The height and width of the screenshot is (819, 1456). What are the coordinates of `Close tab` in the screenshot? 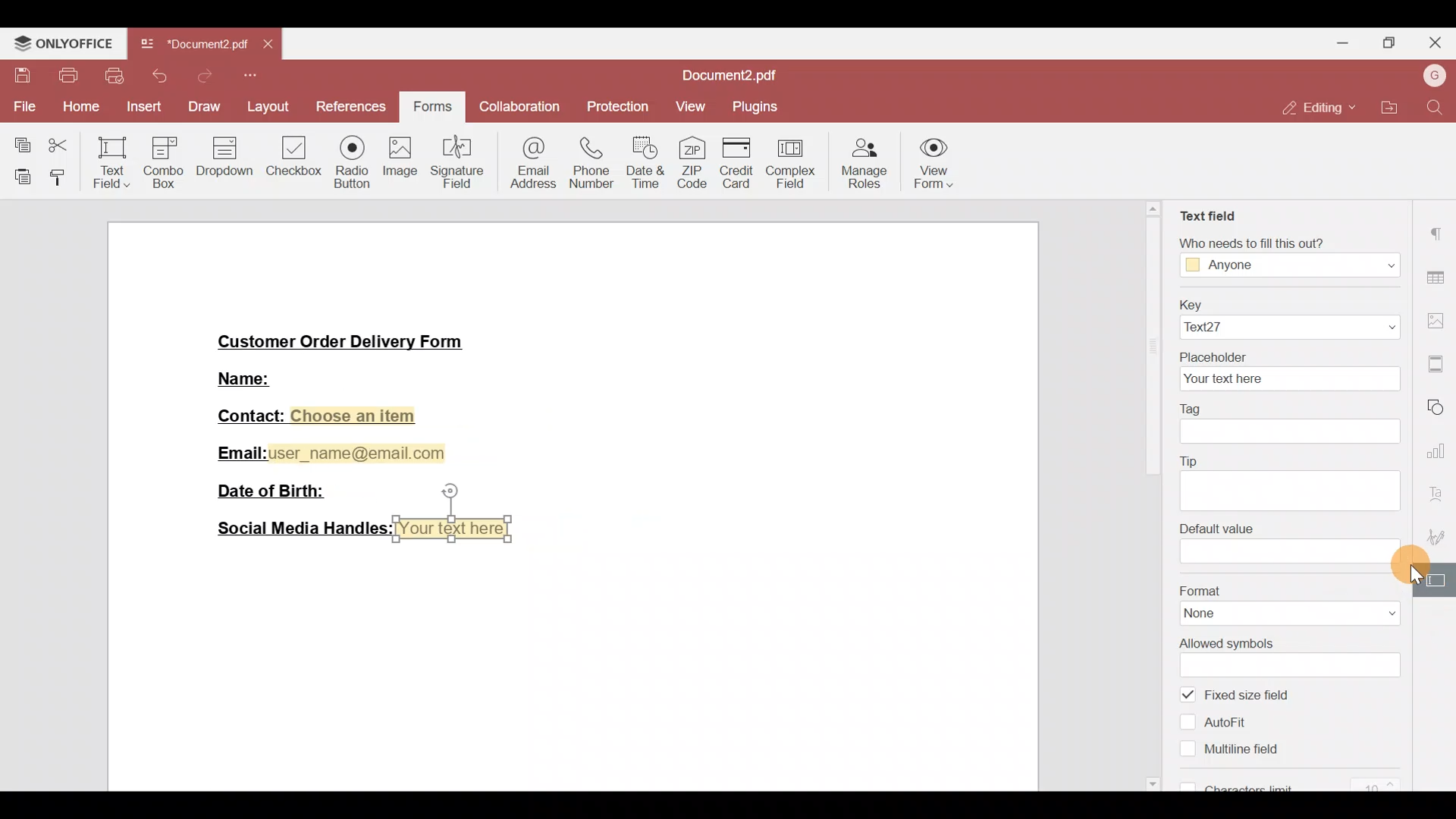 It's located at (271, 47).